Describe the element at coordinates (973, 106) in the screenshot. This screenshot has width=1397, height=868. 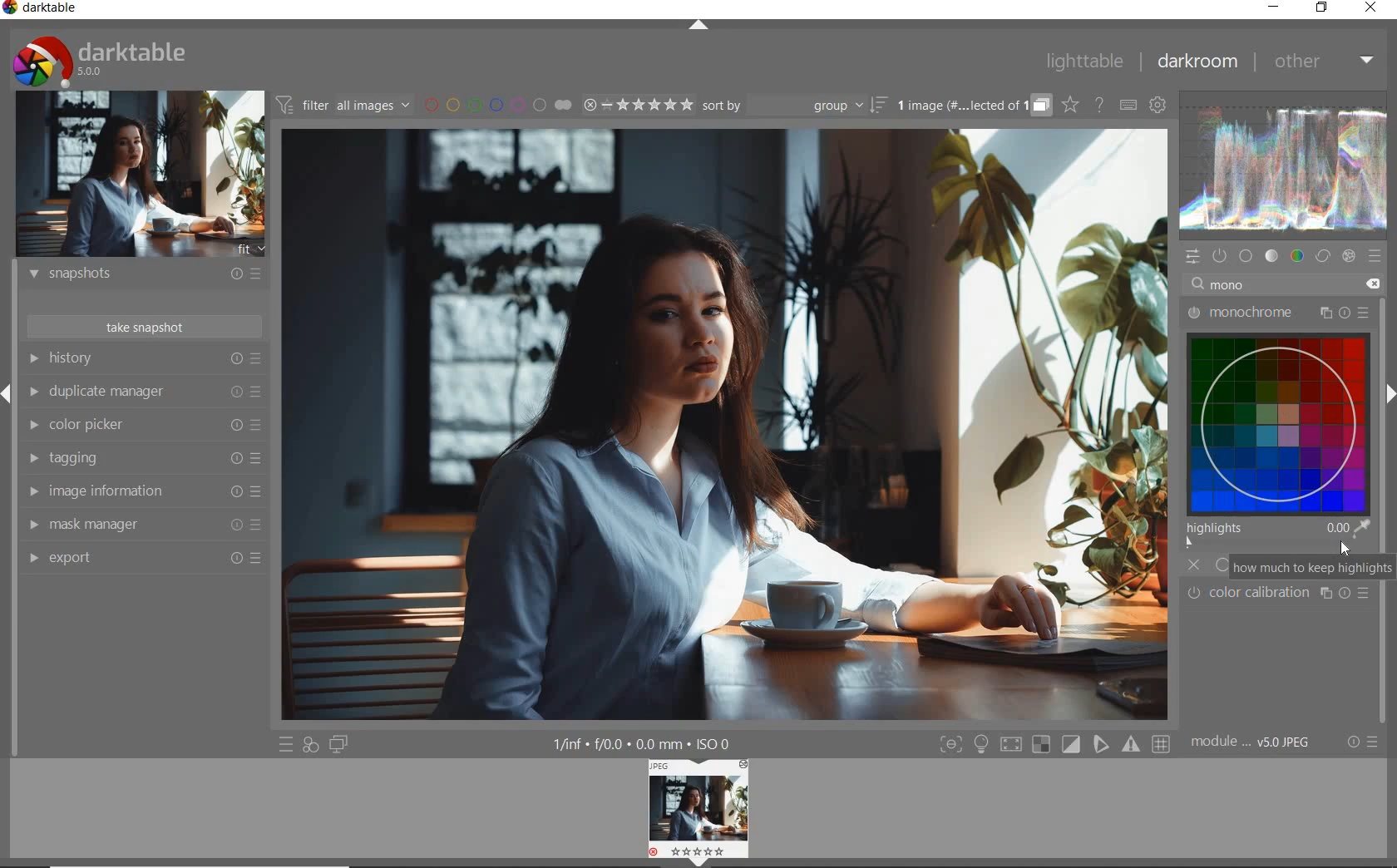
I see `grouped images` at that location.